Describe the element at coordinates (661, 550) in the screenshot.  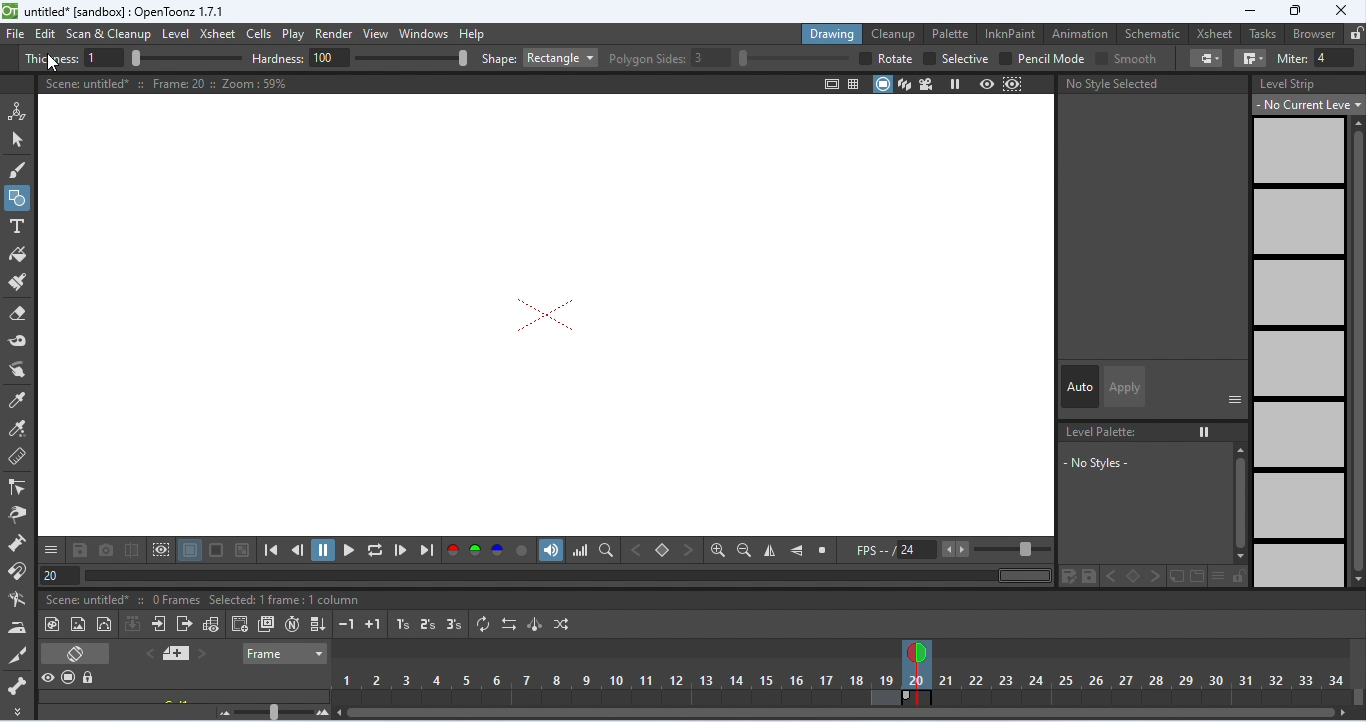
I see `set key` at that location.